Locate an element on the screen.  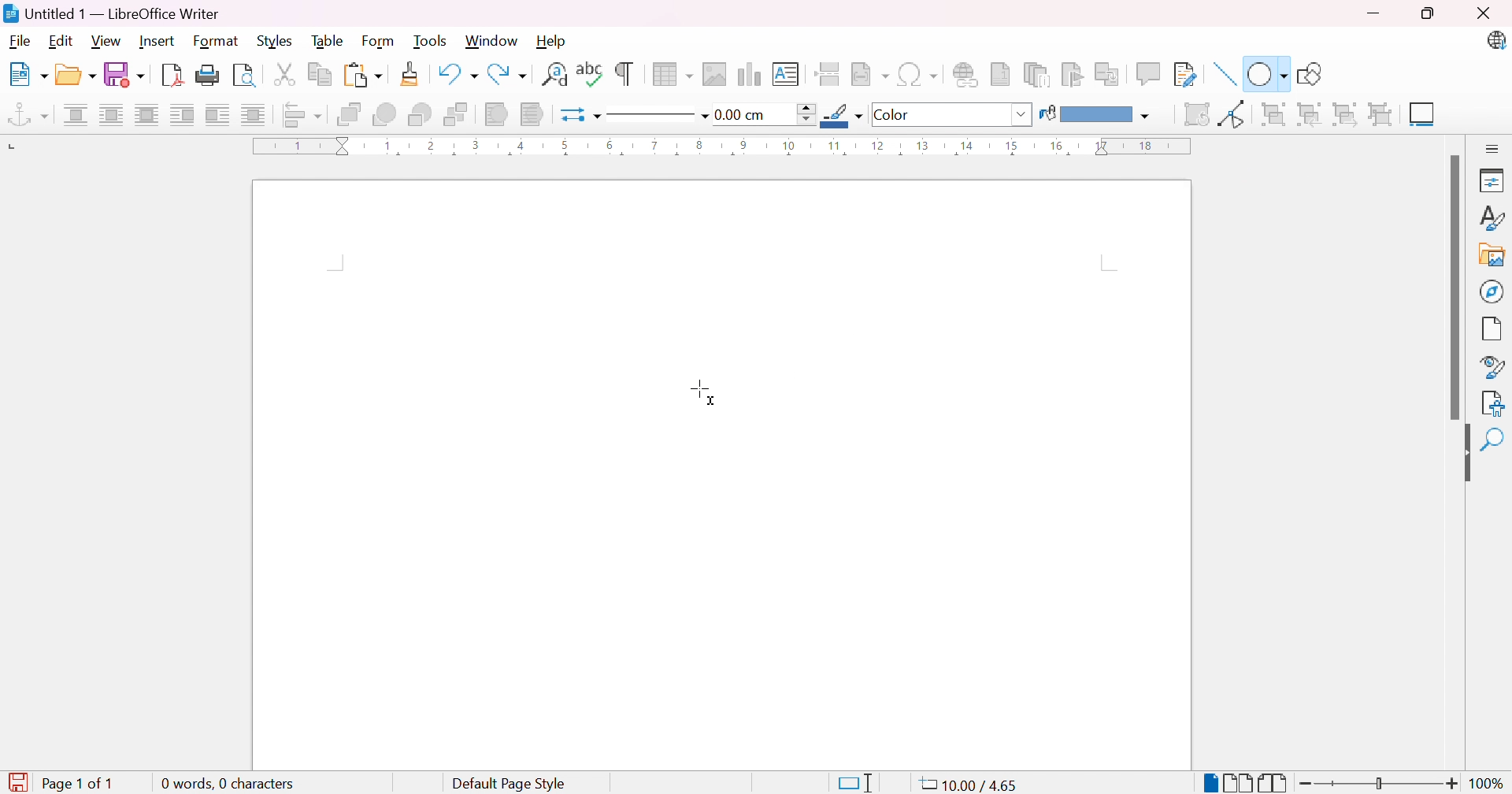
Line color is located at coordinates (842, 115).